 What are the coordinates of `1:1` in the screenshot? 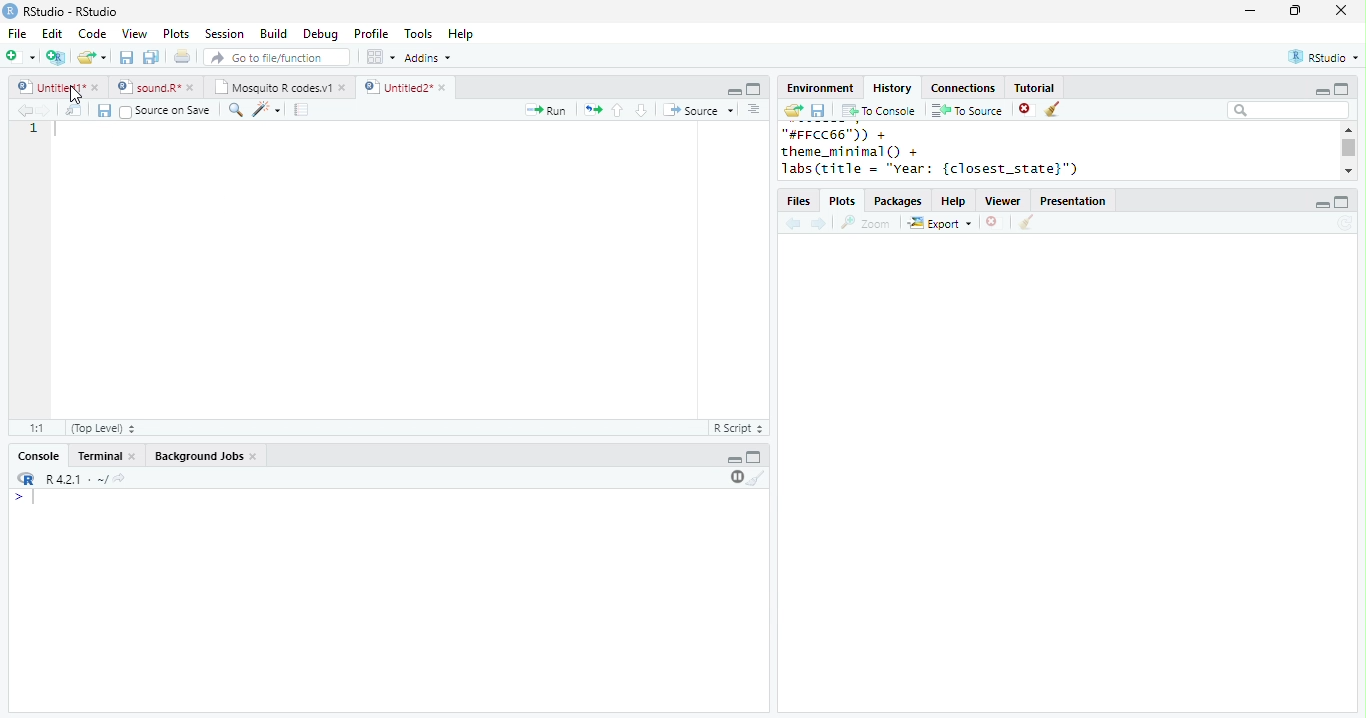 It's located at (36, 427).